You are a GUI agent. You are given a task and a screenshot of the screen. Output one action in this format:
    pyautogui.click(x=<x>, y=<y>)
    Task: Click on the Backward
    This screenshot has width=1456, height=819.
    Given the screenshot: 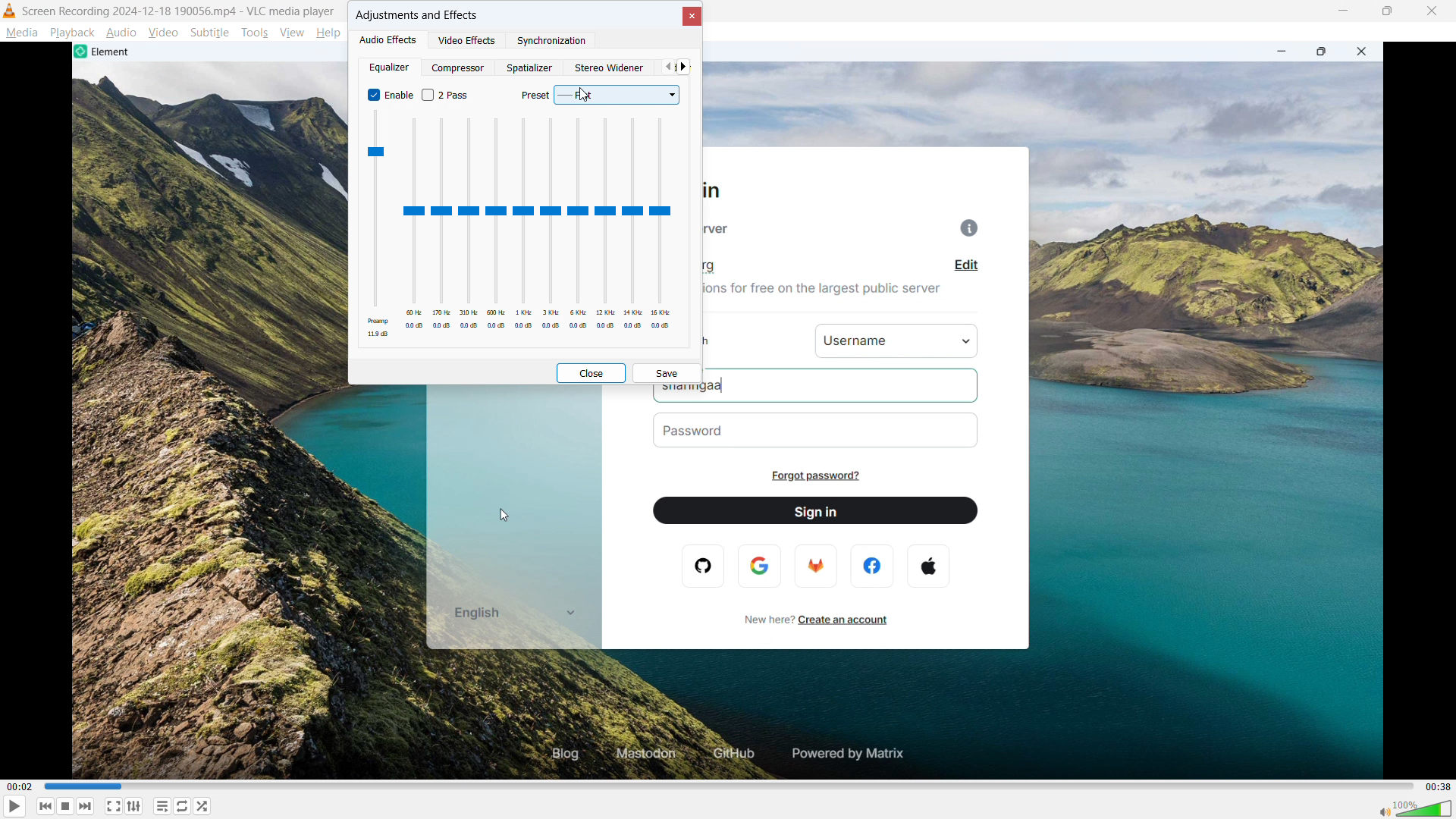 What is the action you would take?
    pyautogui.click(x=45, y=806)
    